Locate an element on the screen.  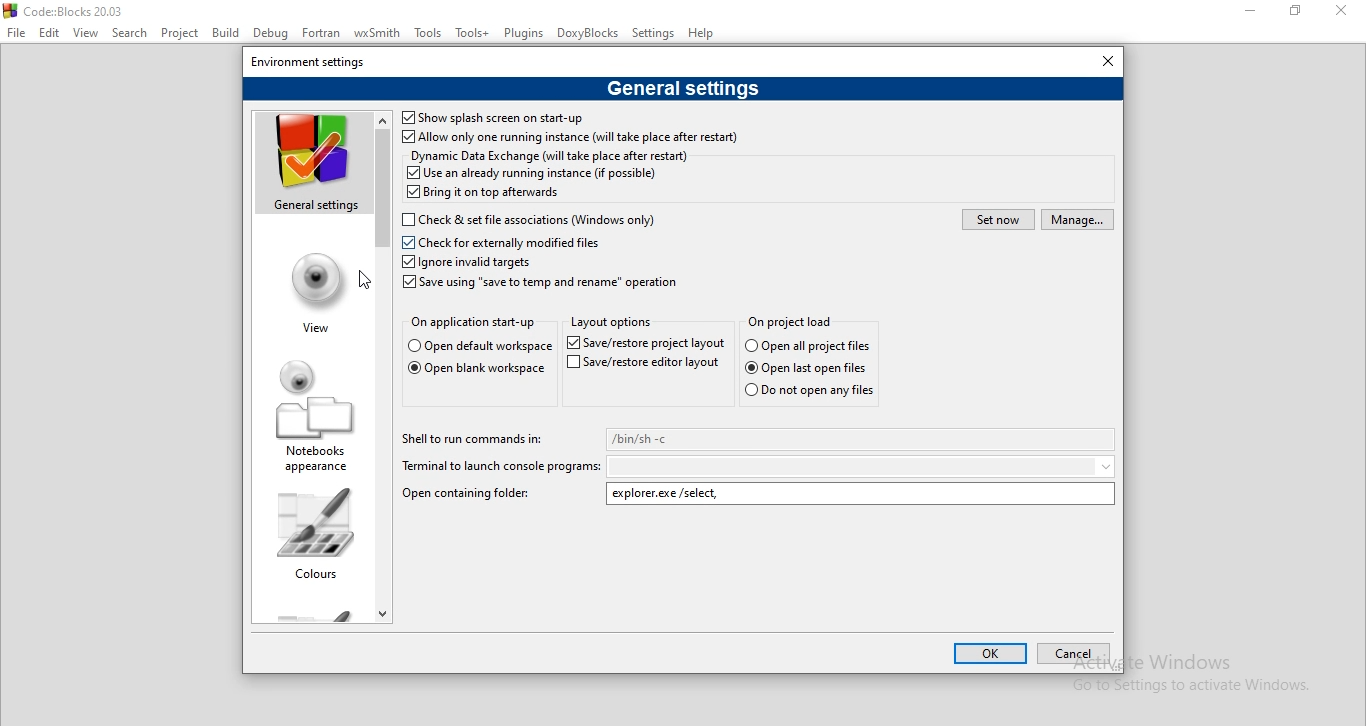
cursor on View is located at coordinates (366, 280).